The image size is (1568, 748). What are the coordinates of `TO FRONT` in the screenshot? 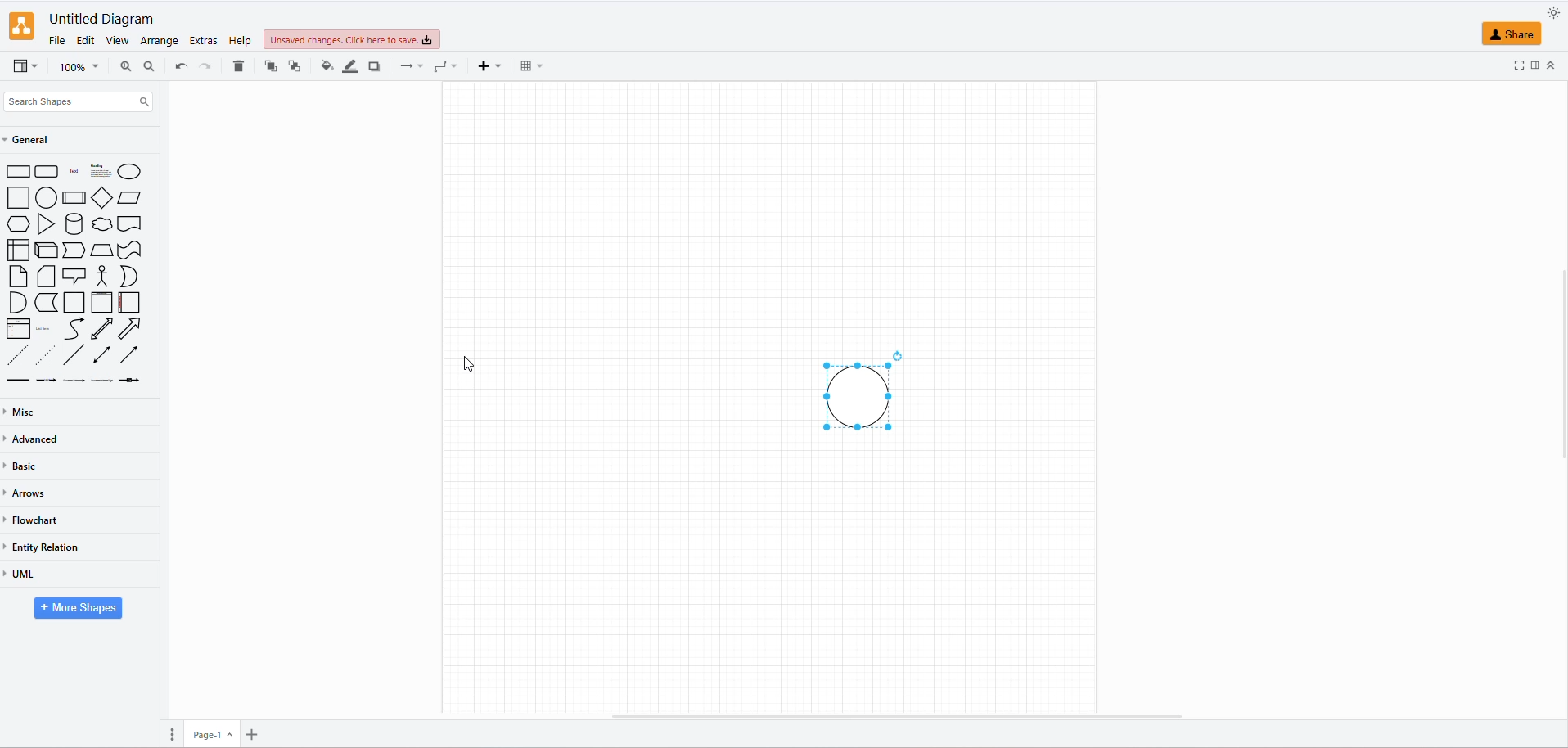 It's located at (268, 66).